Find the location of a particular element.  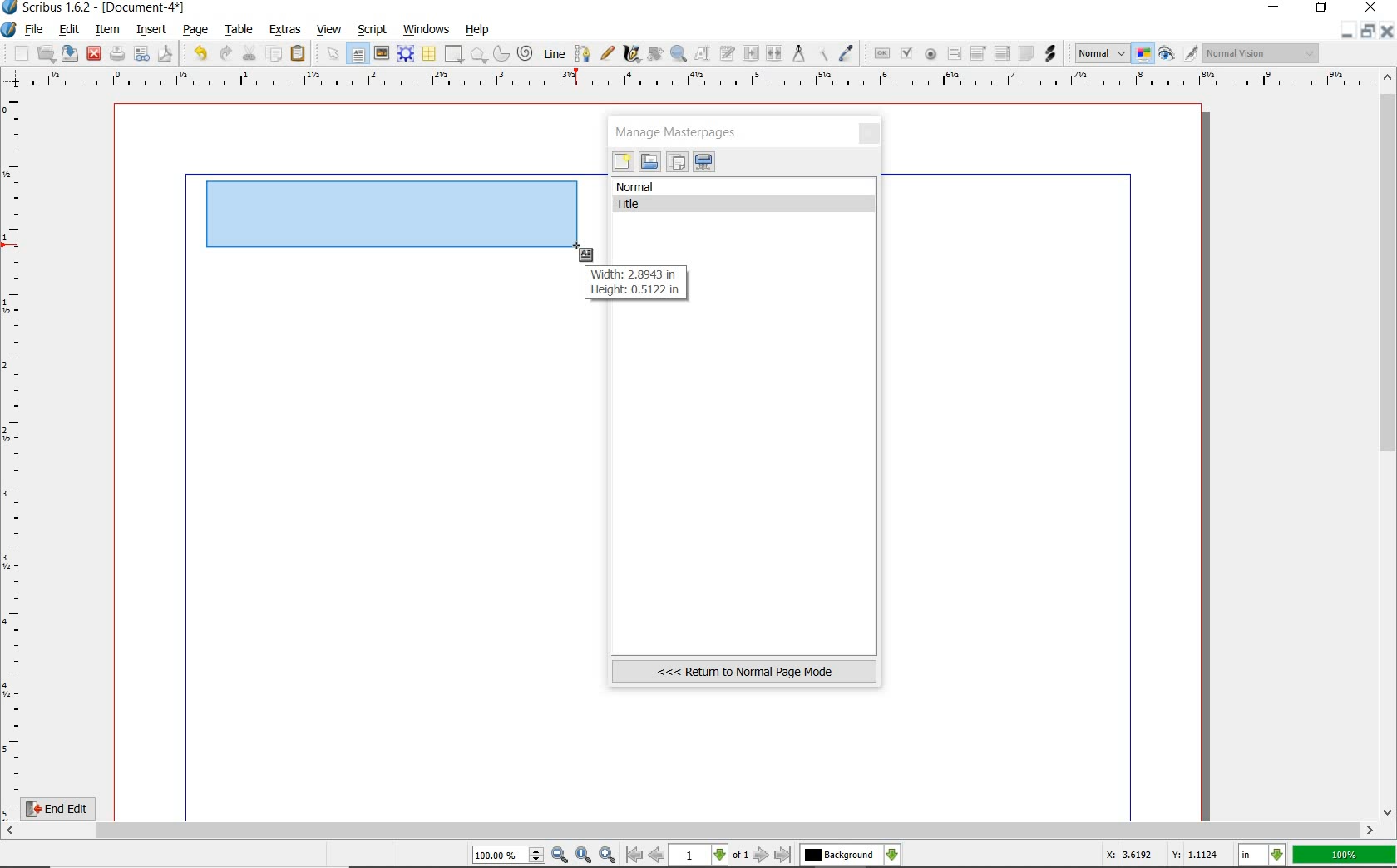

pdf check box is located at coordinates (906, 53).